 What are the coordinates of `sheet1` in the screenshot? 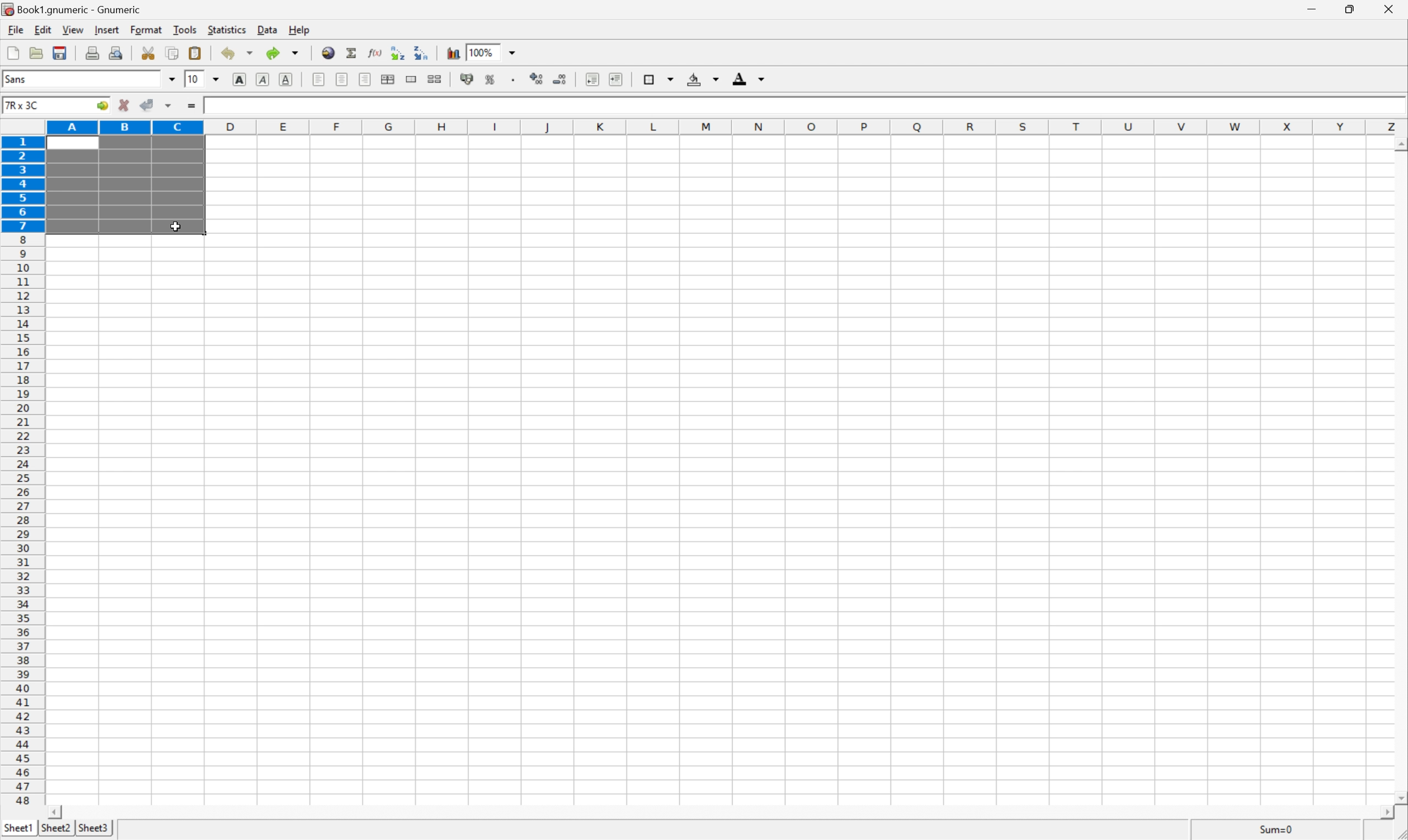 It's located at (18, 830).